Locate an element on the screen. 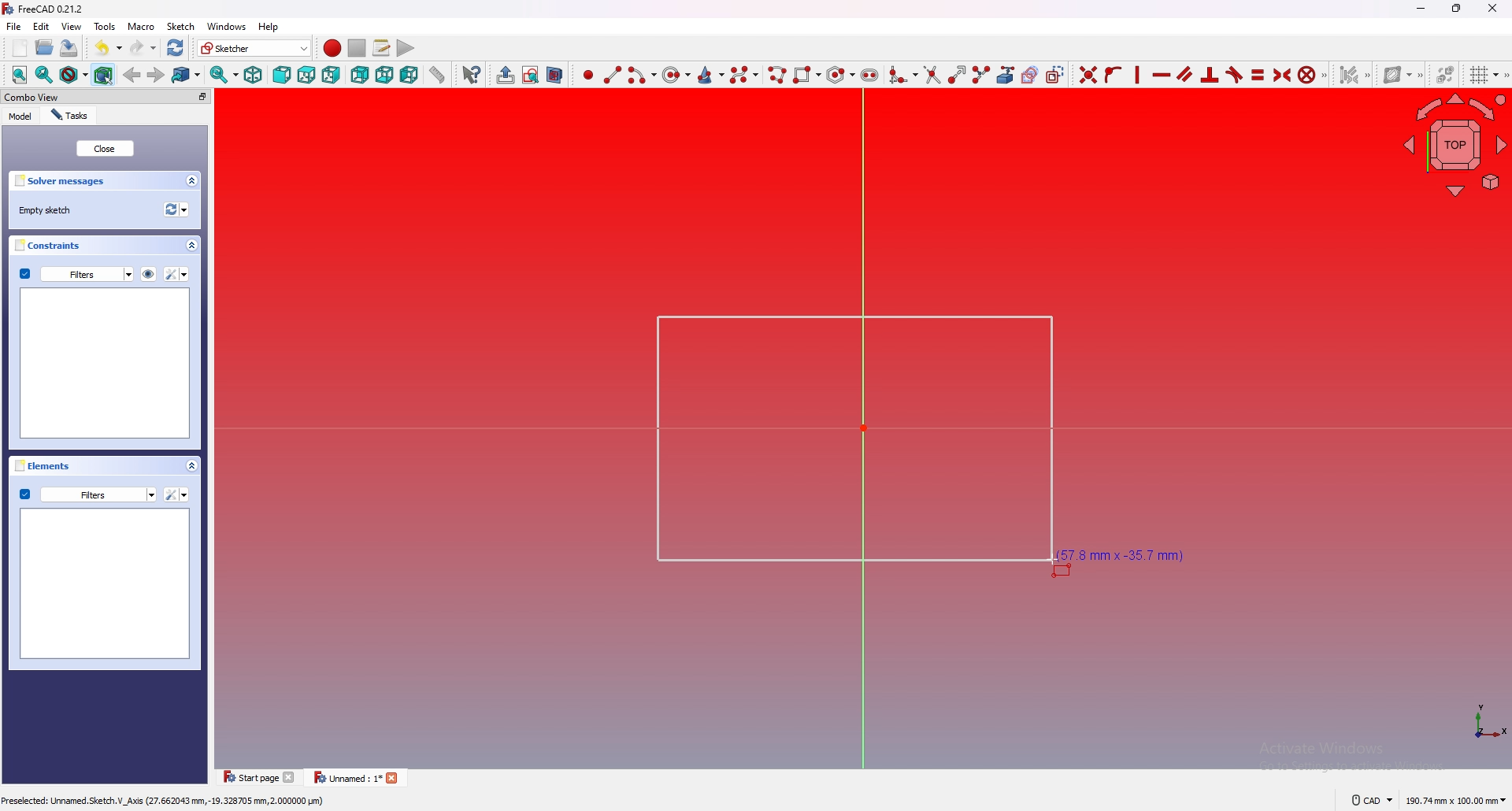 This screenshot has width=1512, height=811. show B spline info is located at coordinates (1399, 75).